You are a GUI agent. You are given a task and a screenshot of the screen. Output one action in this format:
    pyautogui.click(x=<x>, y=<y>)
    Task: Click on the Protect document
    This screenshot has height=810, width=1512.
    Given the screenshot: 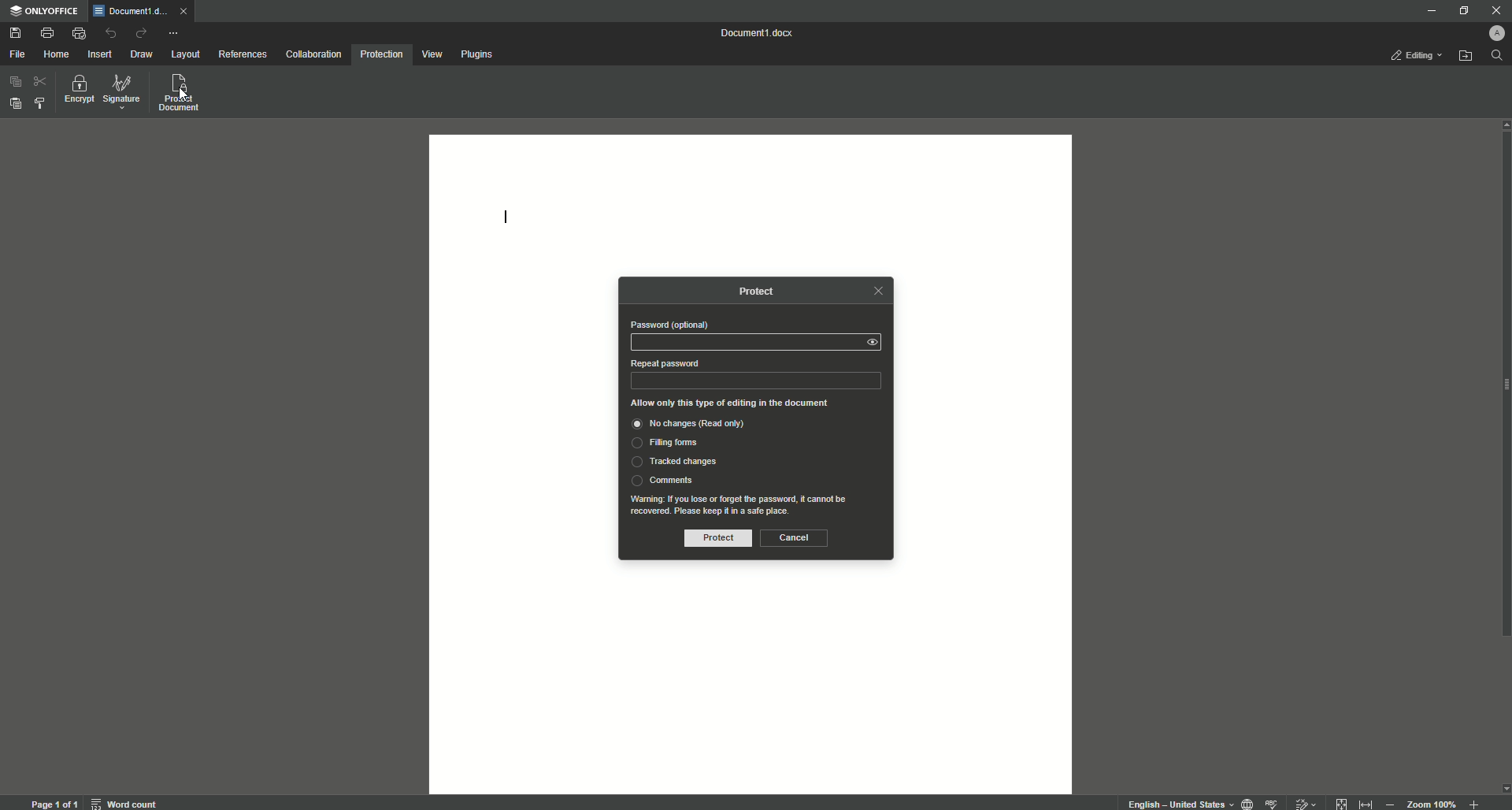 What is the action you would take?
    pyautogui.click(x=181, y=94)
    